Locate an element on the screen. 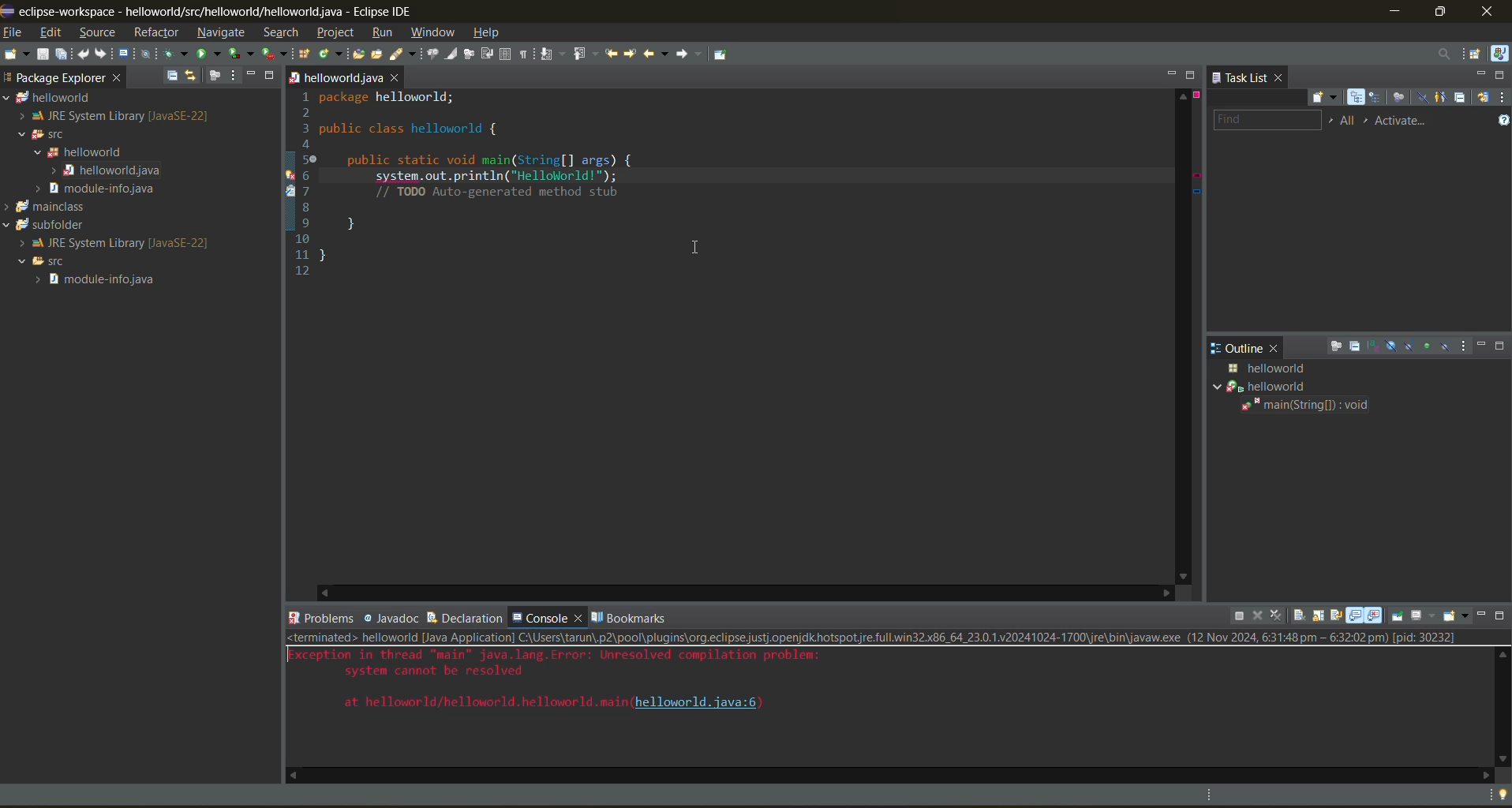 Image resolution: width=1512 pixels, height=808 pixels. edit task working sets is located at coordinates (1349, 121).